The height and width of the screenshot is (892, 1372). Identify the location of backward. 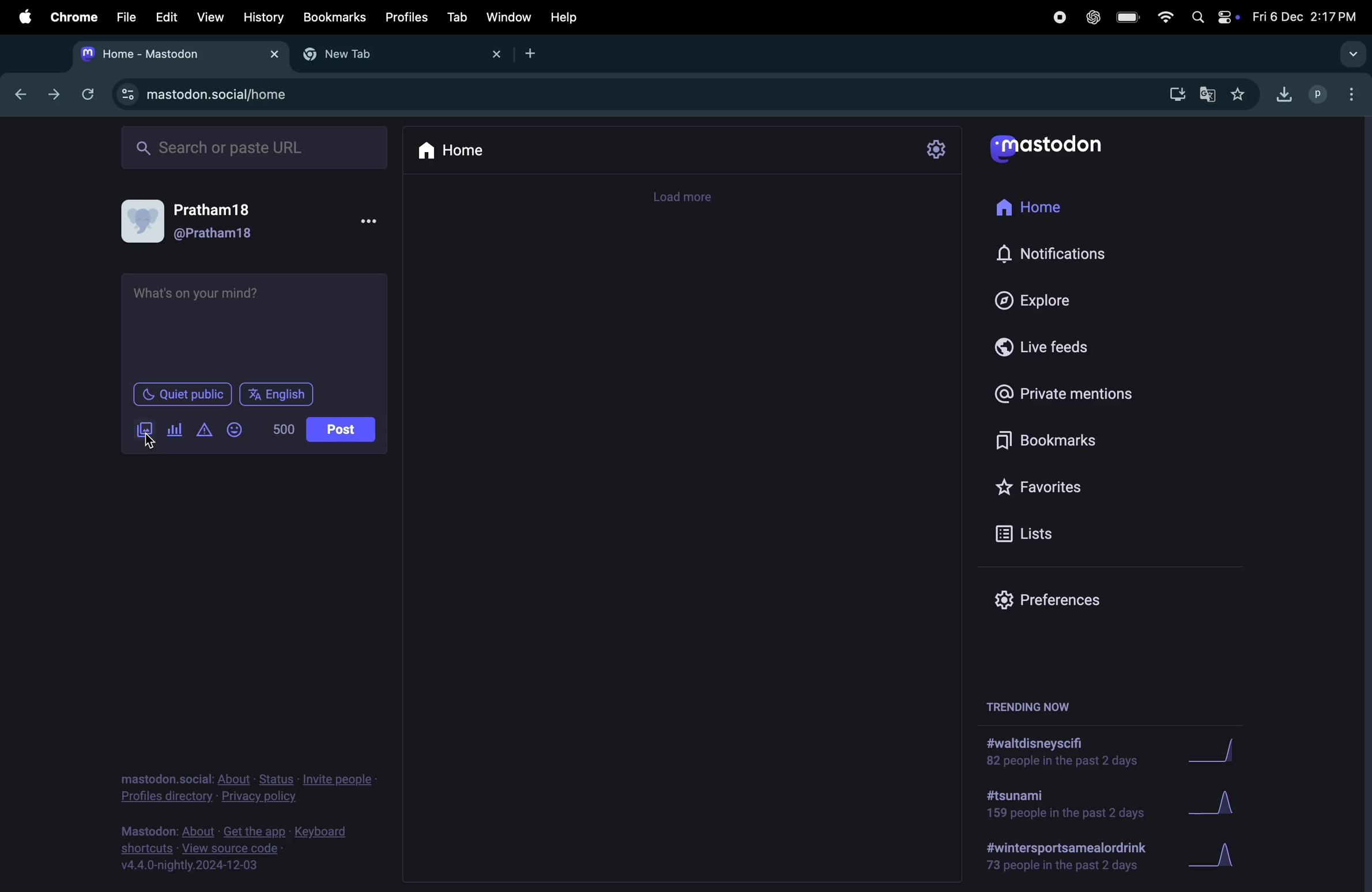
(26, 96).